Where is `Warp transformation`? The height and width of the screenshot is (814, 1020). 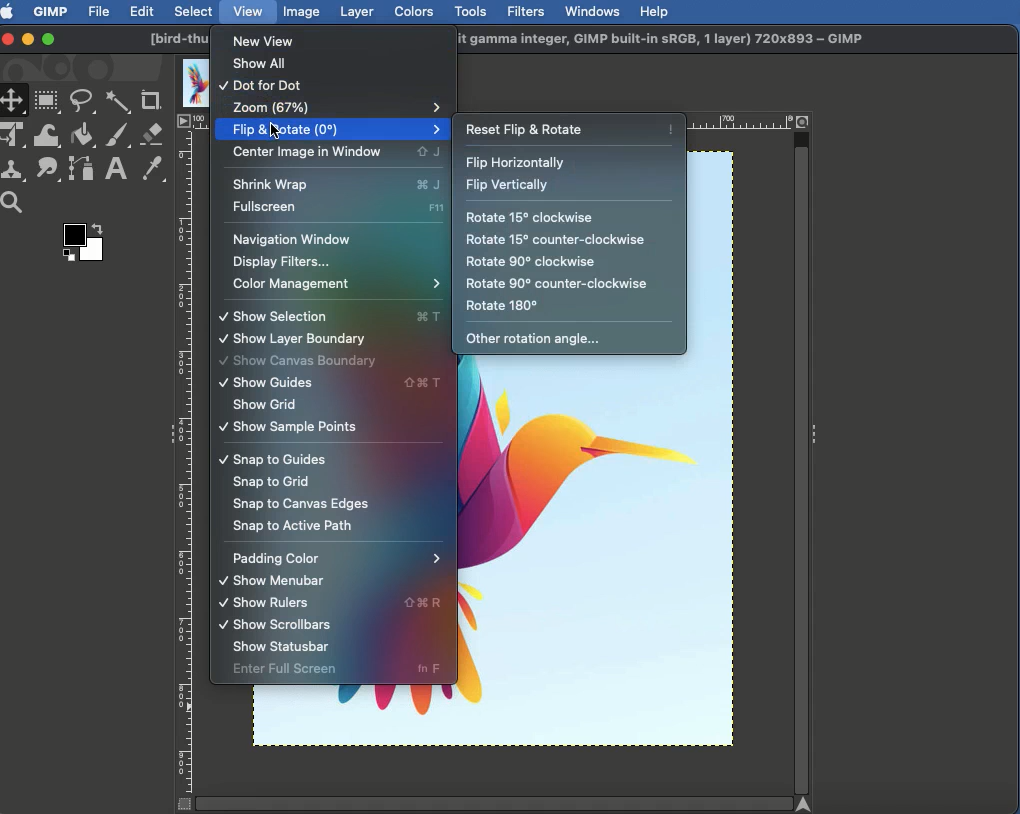
Warp transformation is located at coordinates (48, 135).